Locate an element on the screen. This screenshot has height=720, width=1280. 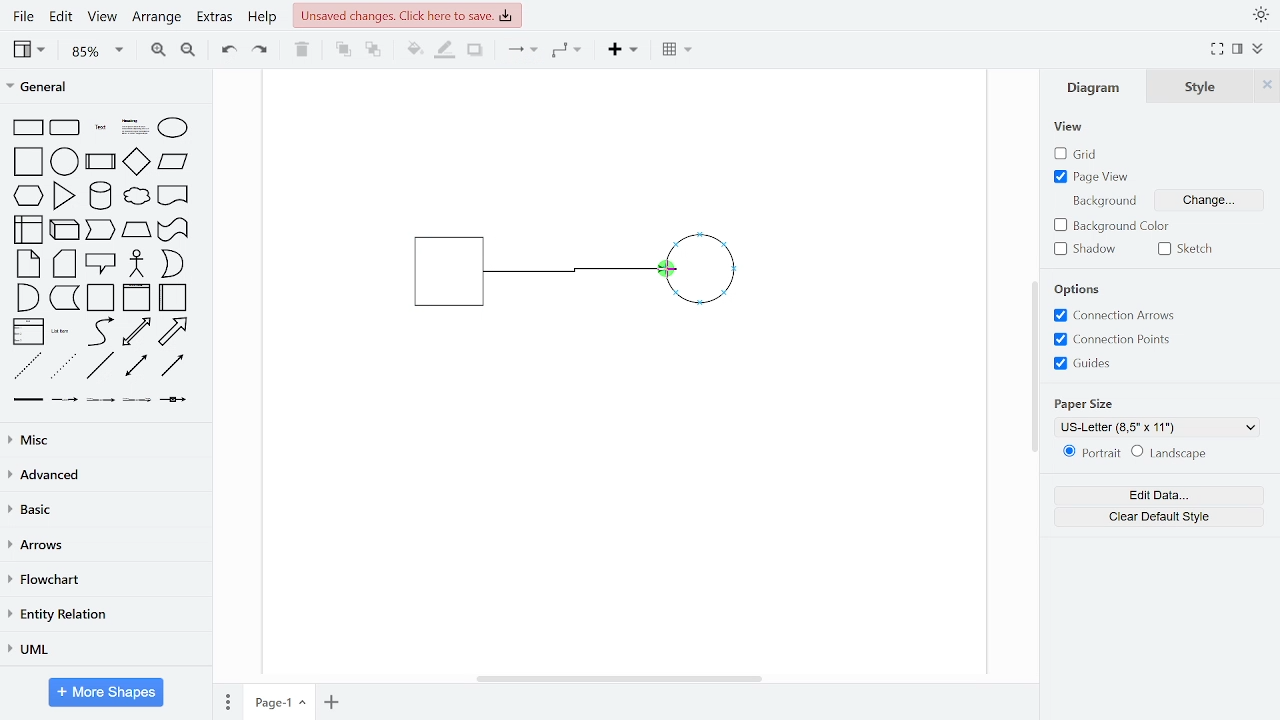
to front is located at coordinates (343, 50).